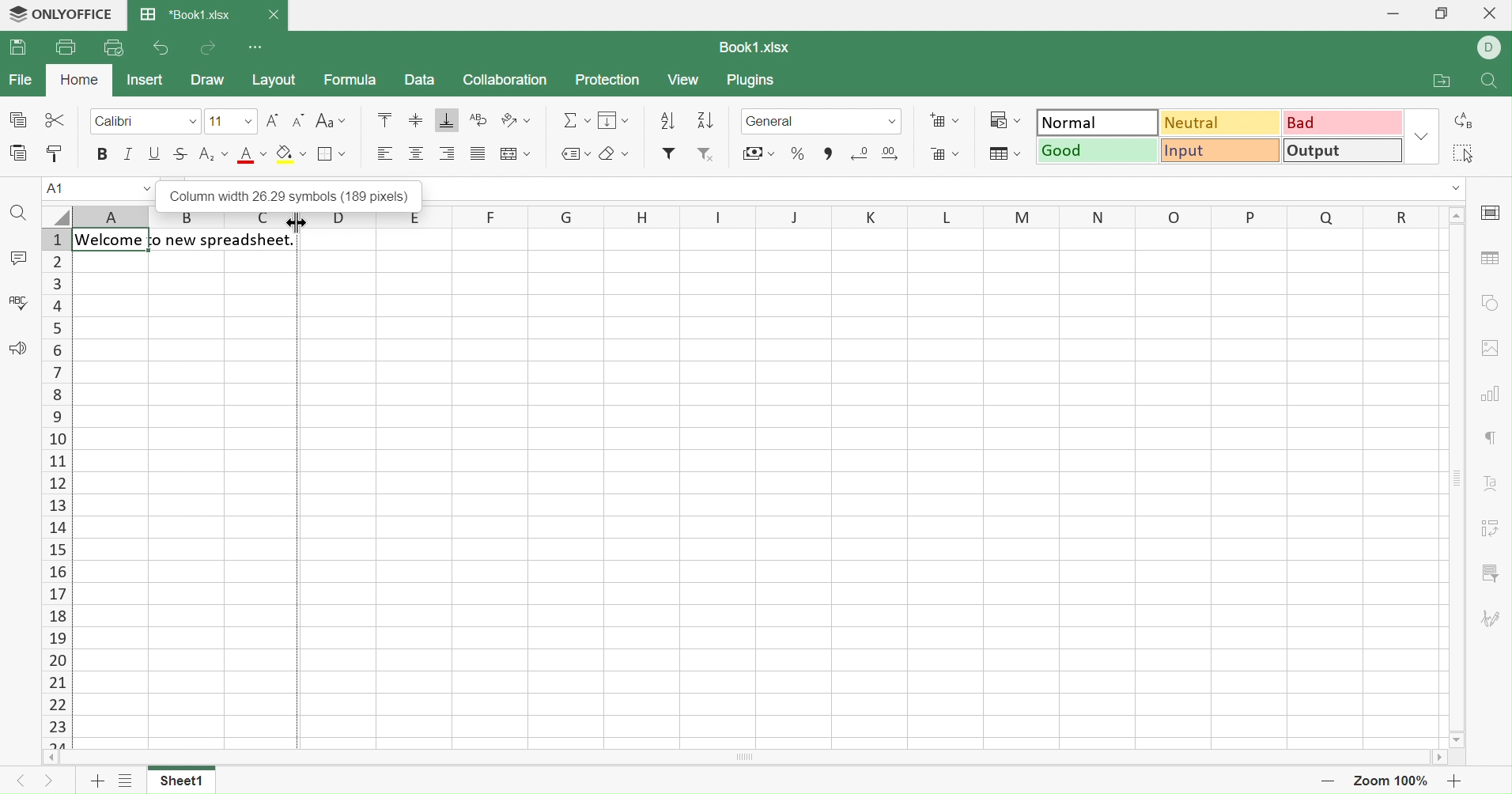 This screenshot has width=1512, height=794. What do you see at coordinates (103, 153) in the screenshot?
I see `Bold` at bounding box center [103, 153].